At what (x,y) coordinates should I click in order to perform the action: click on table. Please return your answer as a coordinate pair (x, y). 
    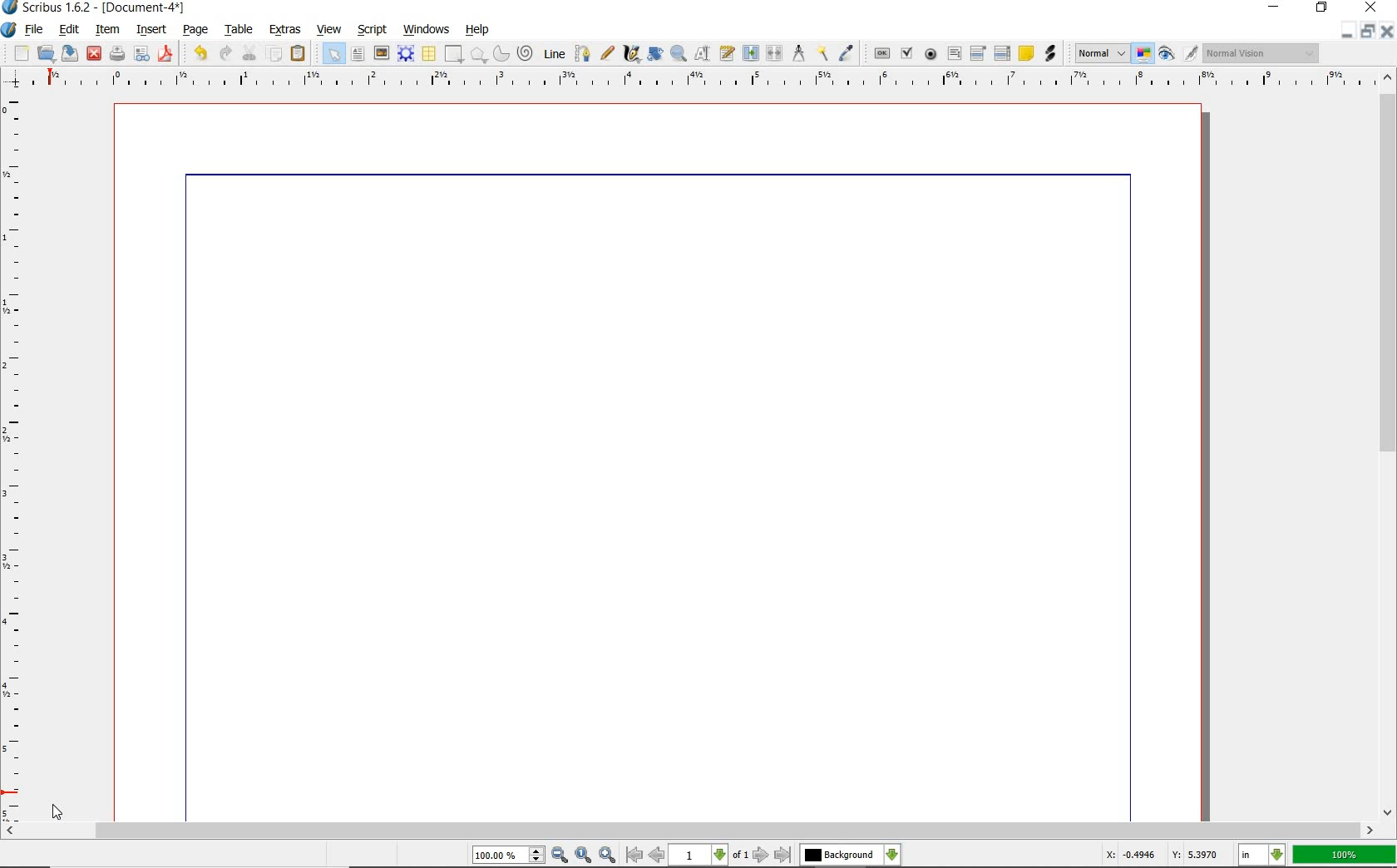
    Looking at the image, I should click on (428, 54).